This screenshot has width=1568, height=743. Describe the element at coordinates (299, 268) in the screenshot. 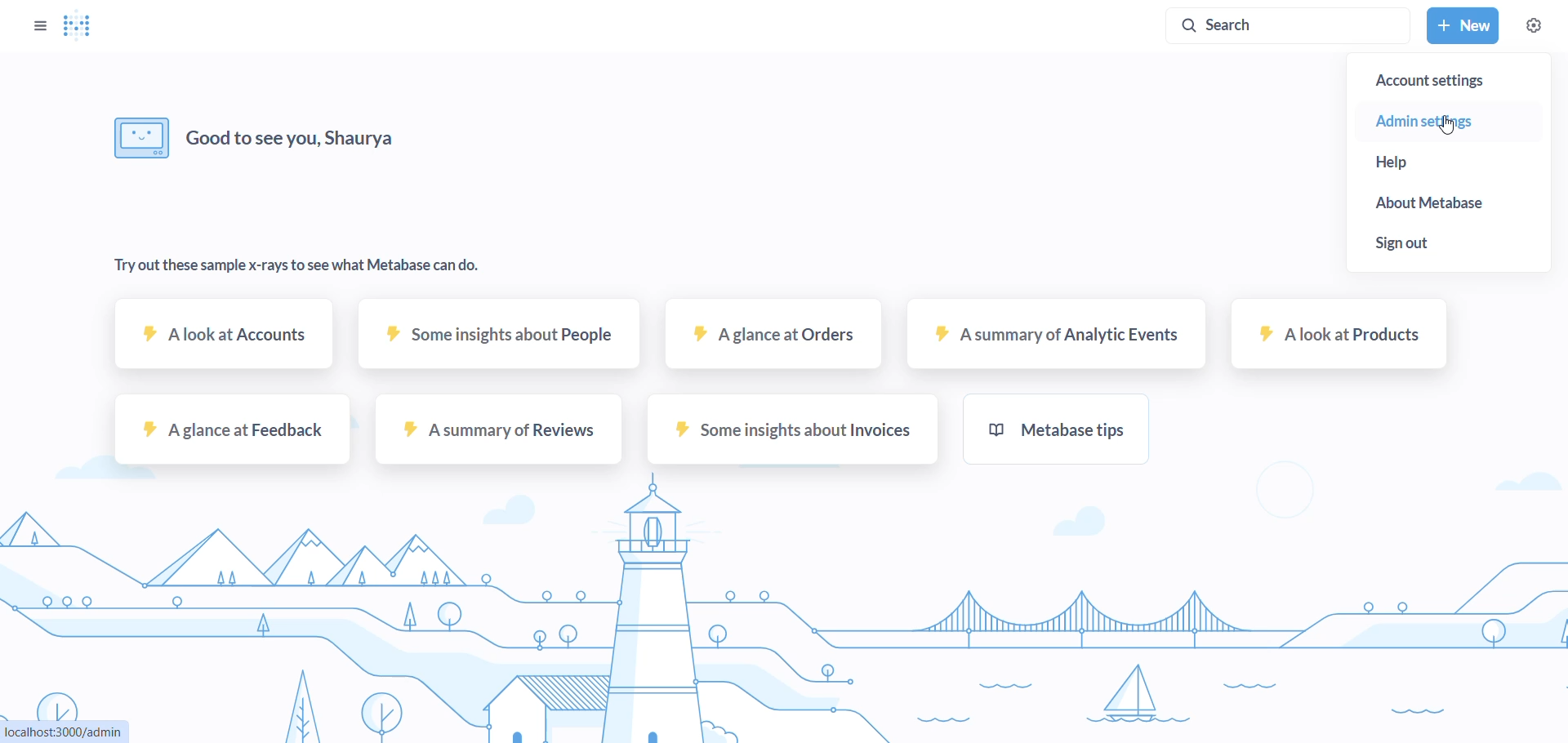

I see `Try out these sample x-rays to see what Metabase can do.` at that location.